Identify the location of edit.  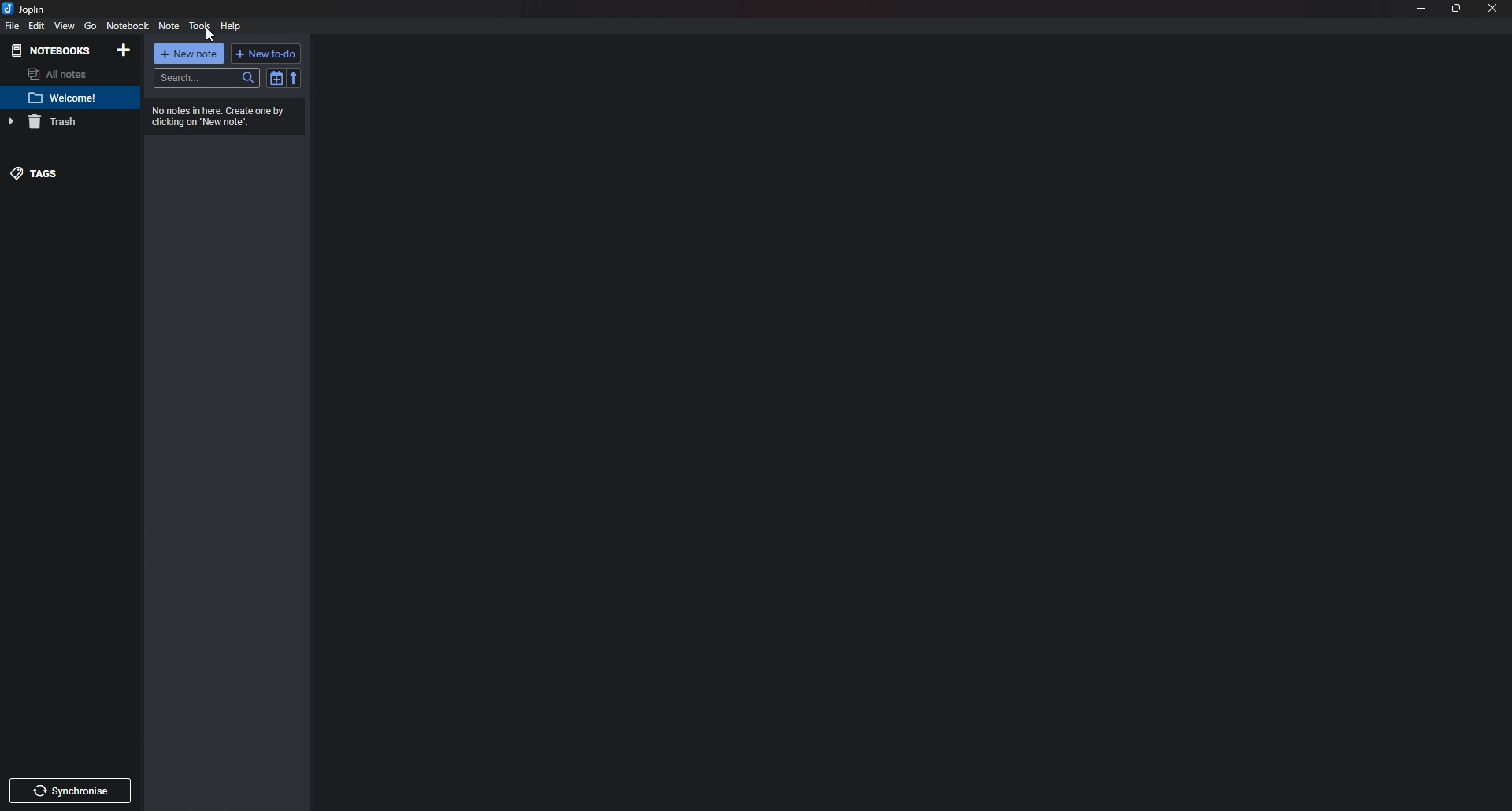
(37, 25).